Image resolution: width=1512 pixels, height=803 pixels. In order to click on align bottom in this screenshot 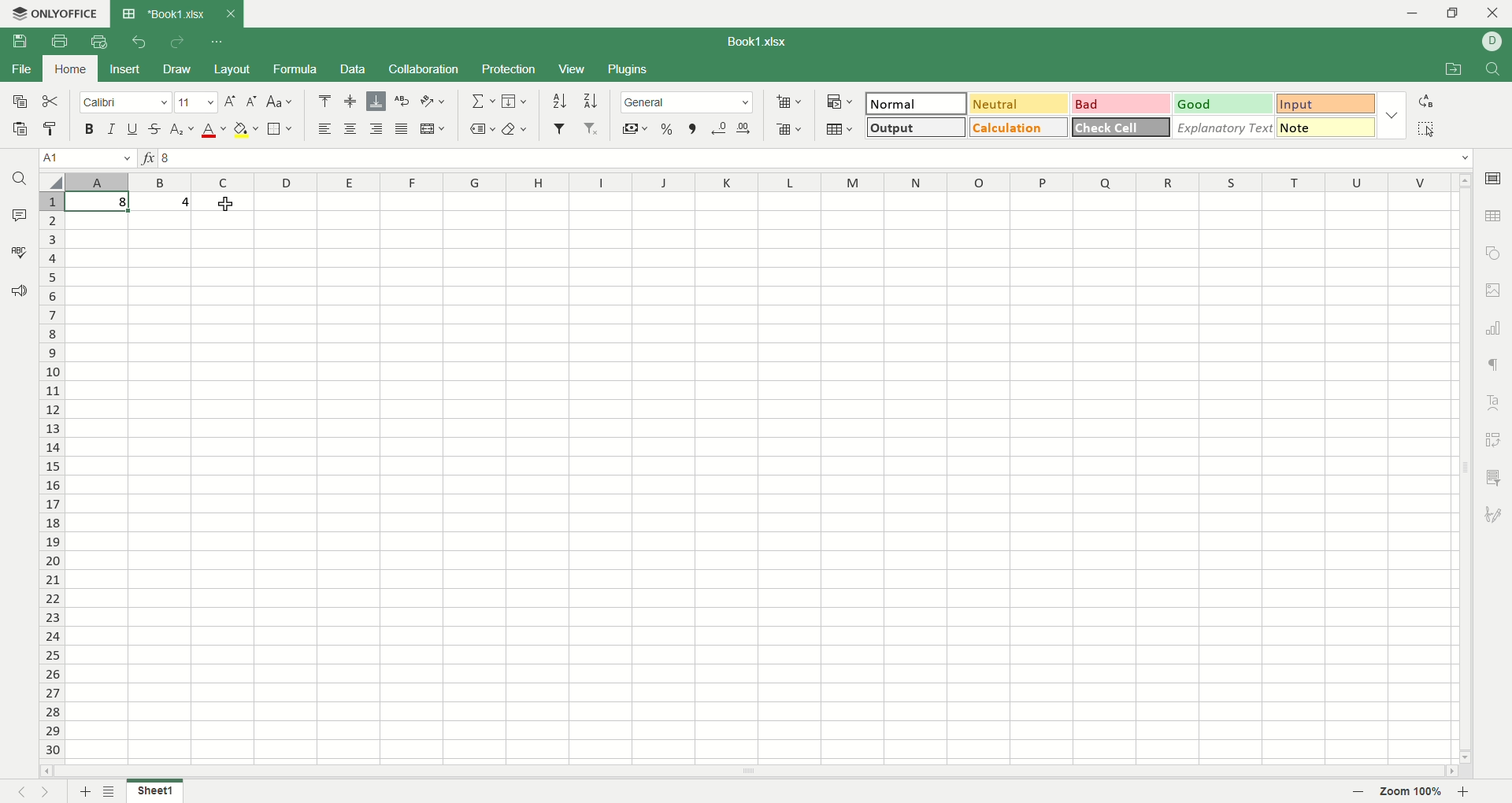, I will do `click(376, 101)`.